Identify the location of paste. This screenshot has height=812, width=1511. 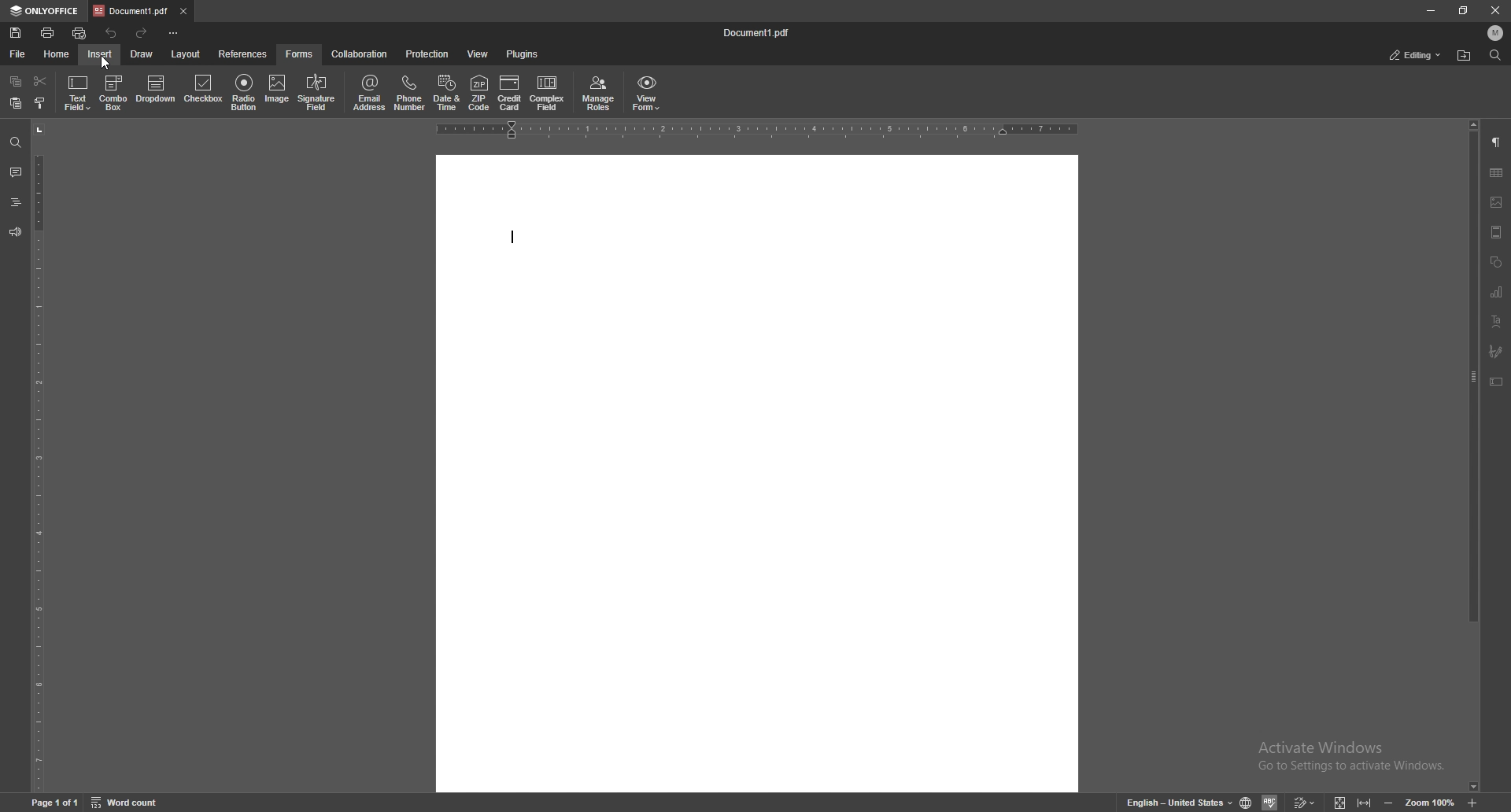
(17, 104).